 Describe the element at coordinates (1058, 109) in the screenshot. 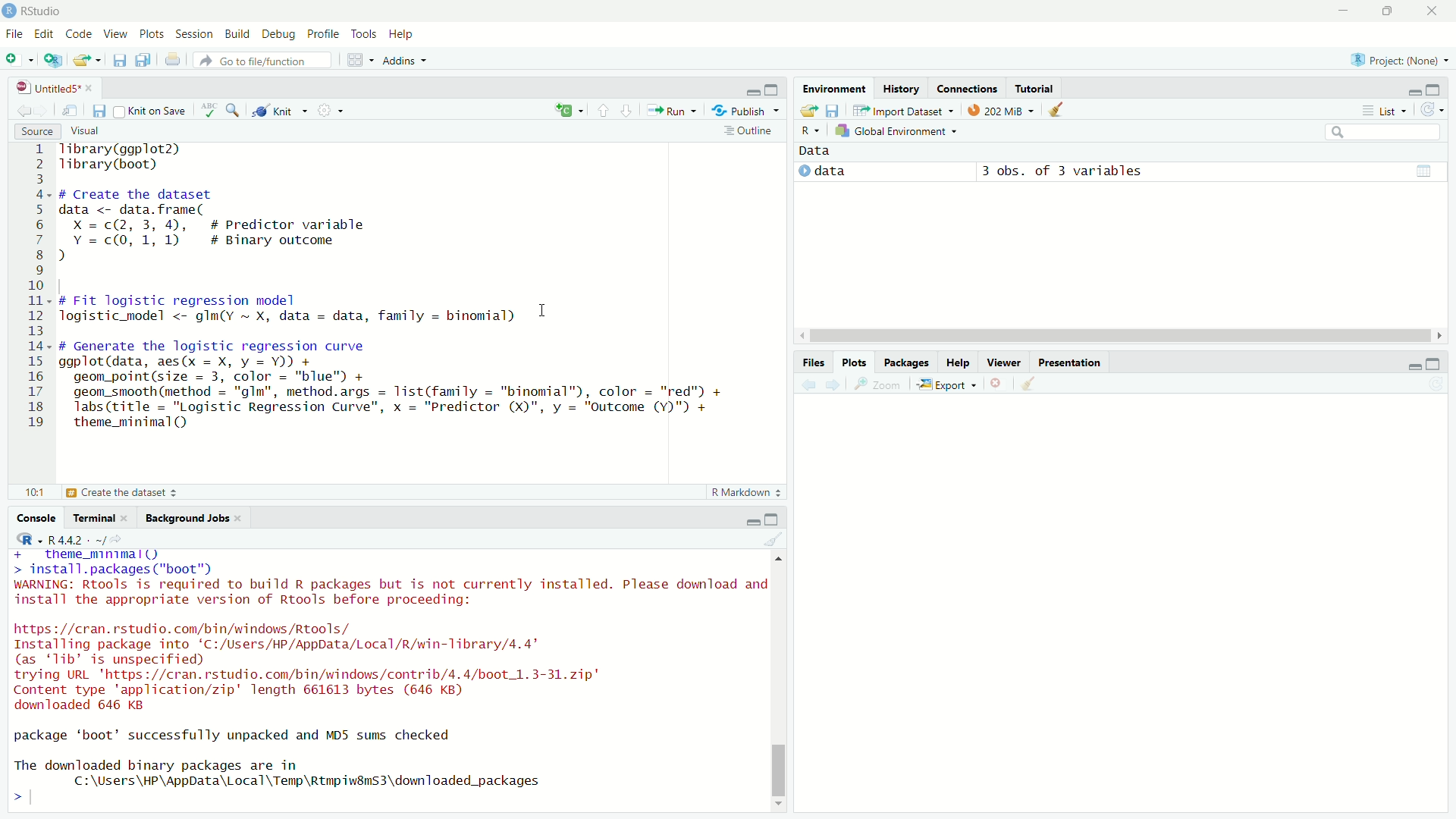

I see `Clear objects from workspace` at that location.